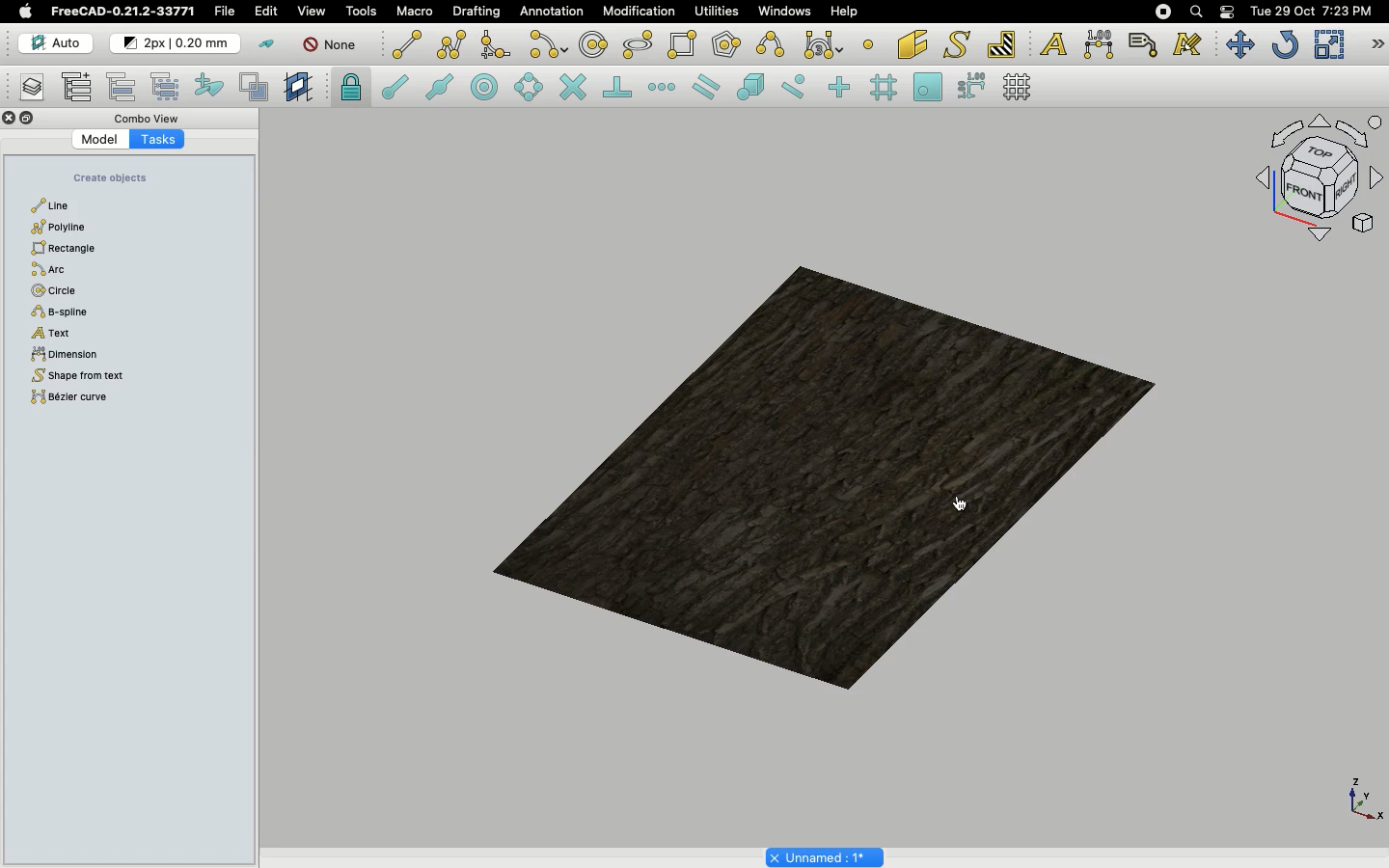 The image size is (1389, 868). What do you see at coordinates (143, 116) in the screenshot?
I see `Combo view` at bounding box center [143, 116].